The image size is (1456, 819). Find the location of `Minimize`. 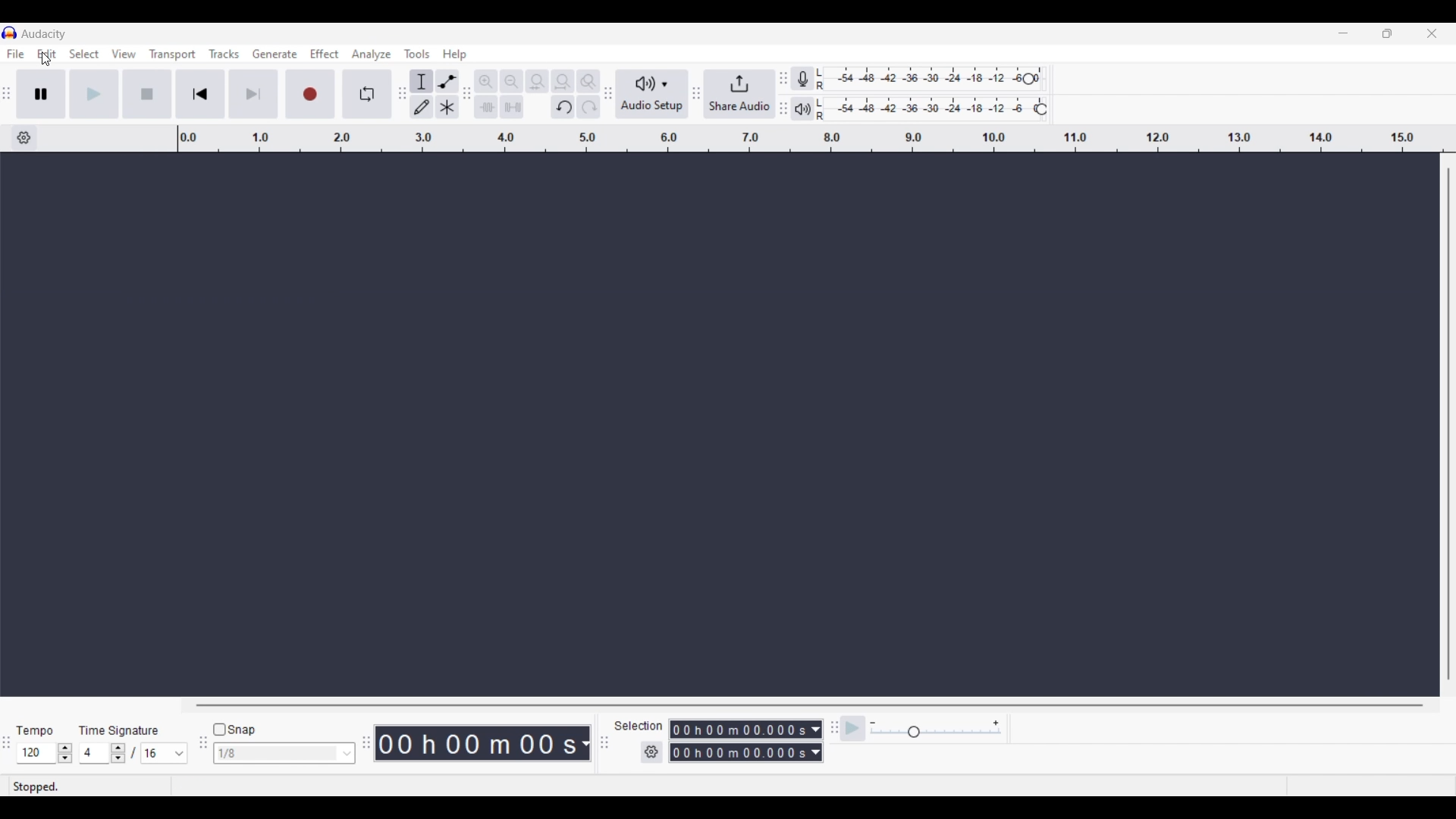

Minimize is located at coordinates (1343, 33).